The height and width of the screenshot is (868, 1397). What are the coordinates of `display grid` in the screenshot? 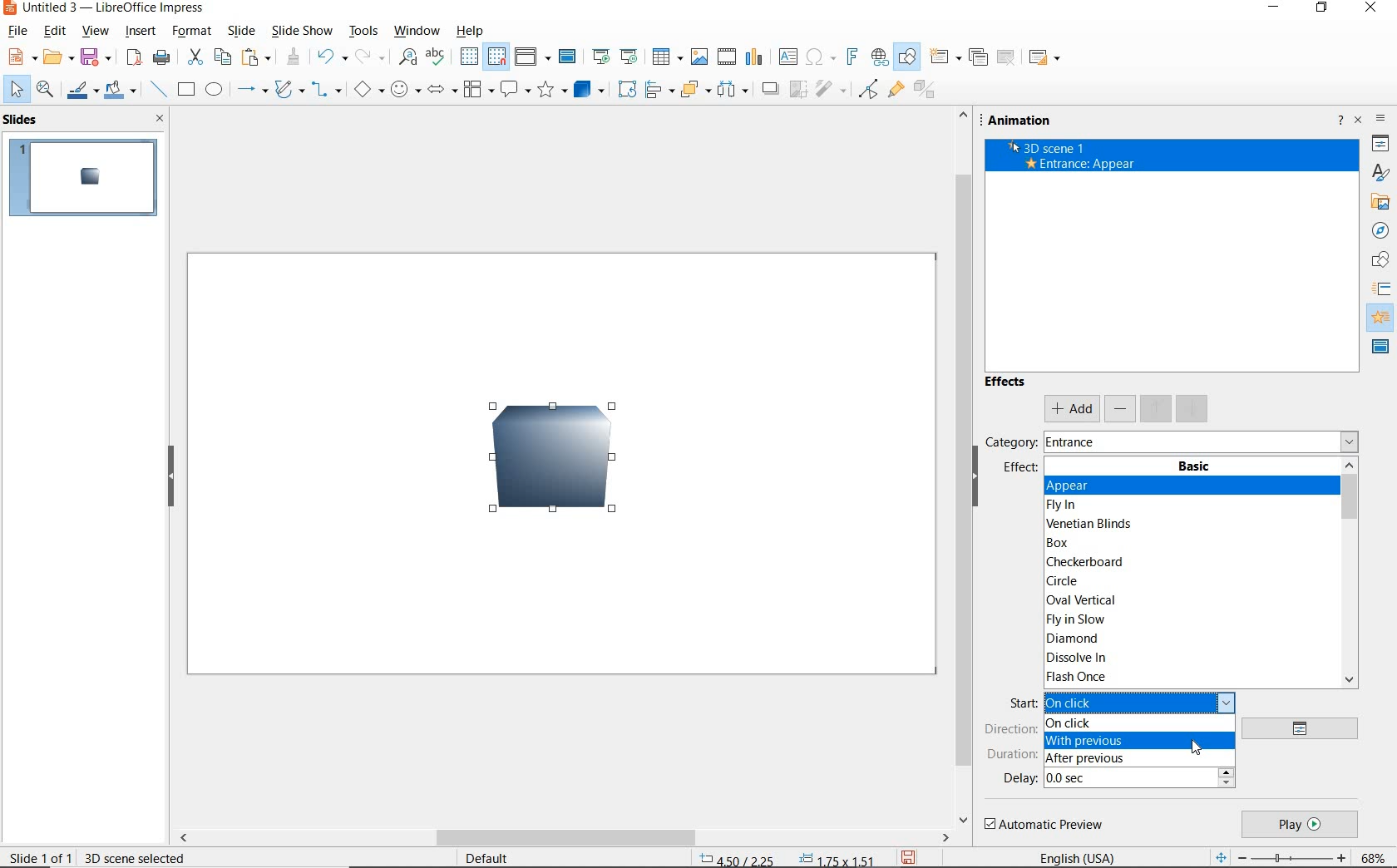 It's located at (468, 56).